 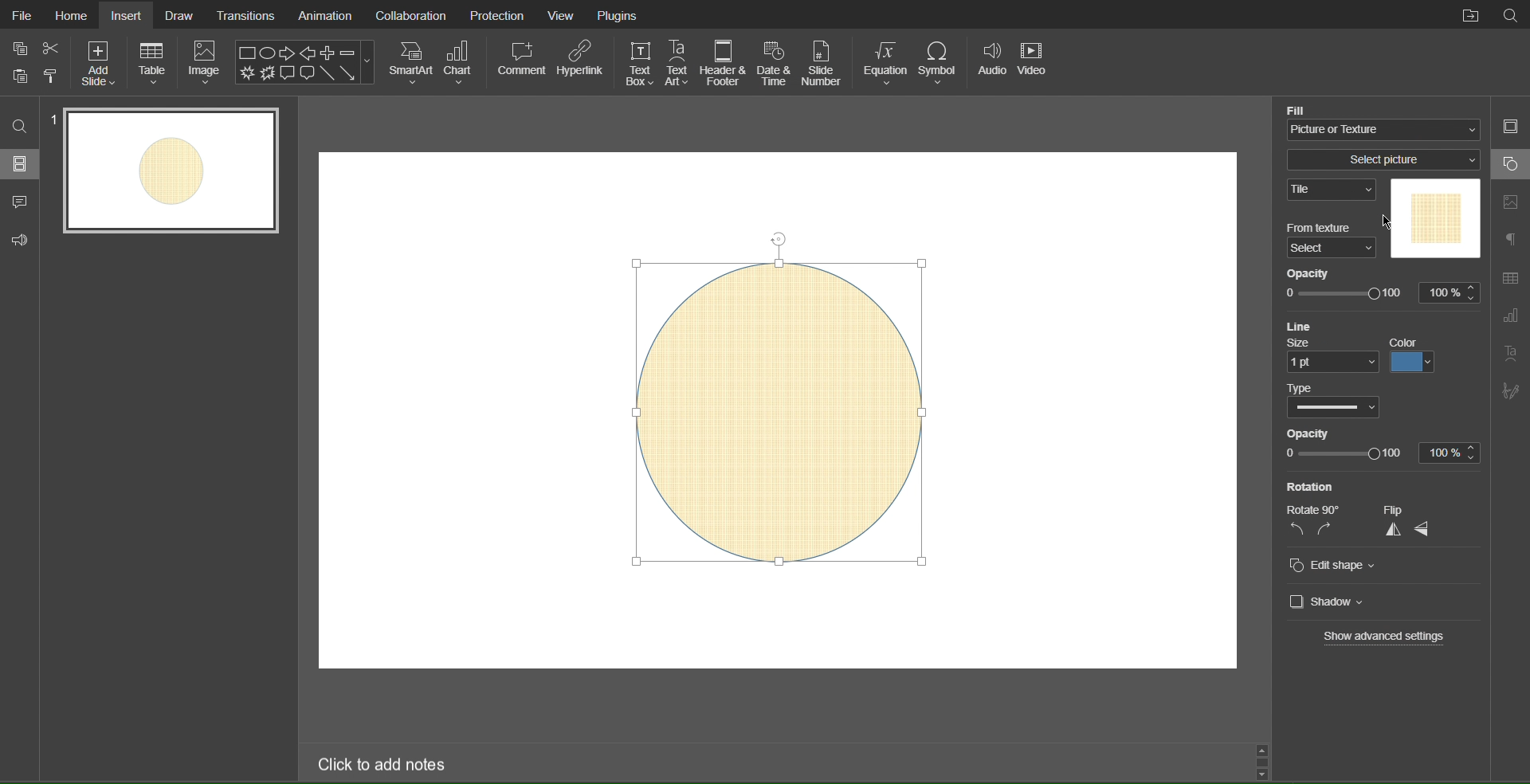 What do you see at coordinates (1342, 454) in the screenshot?
I see `opacity slider` at bounding box center [1342, 454].